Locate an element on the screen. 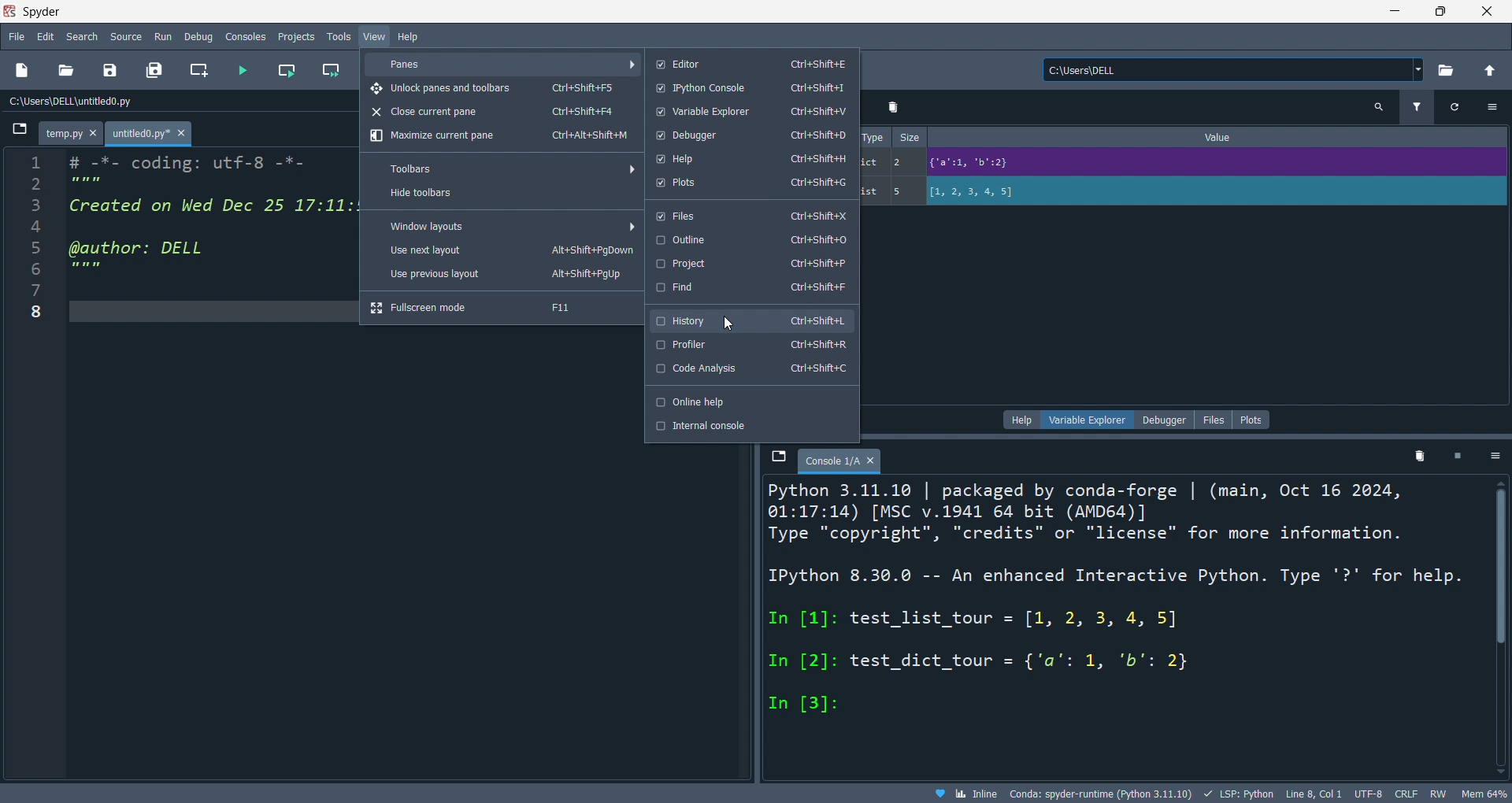 This screenshot has width=1512, height=803. options is located at coordinates (1496, 457).